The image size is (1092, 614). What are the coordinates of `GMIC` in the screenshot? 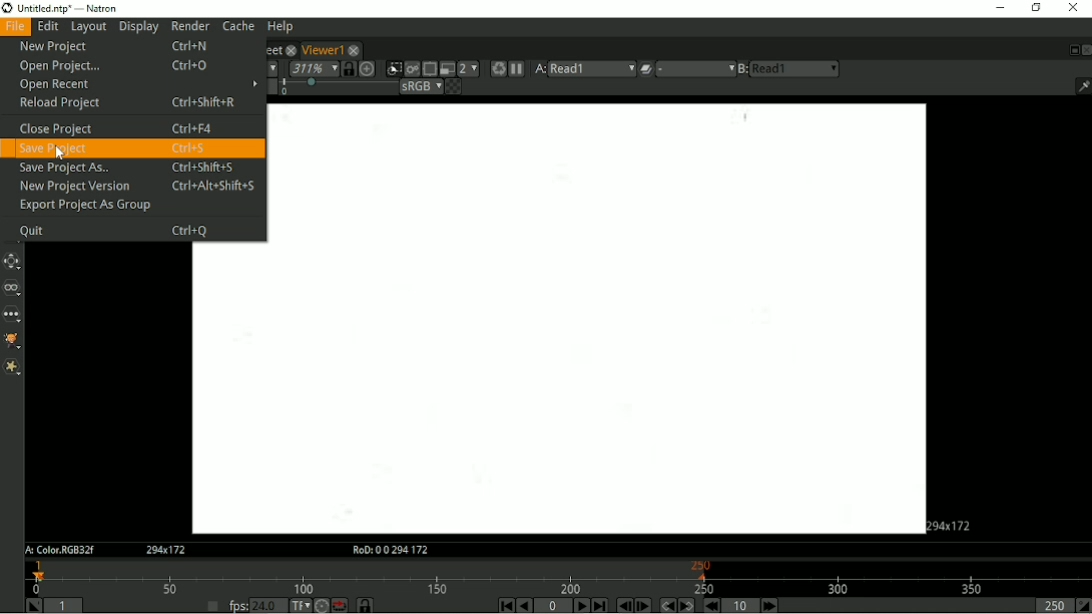 It's located at (13, 341).